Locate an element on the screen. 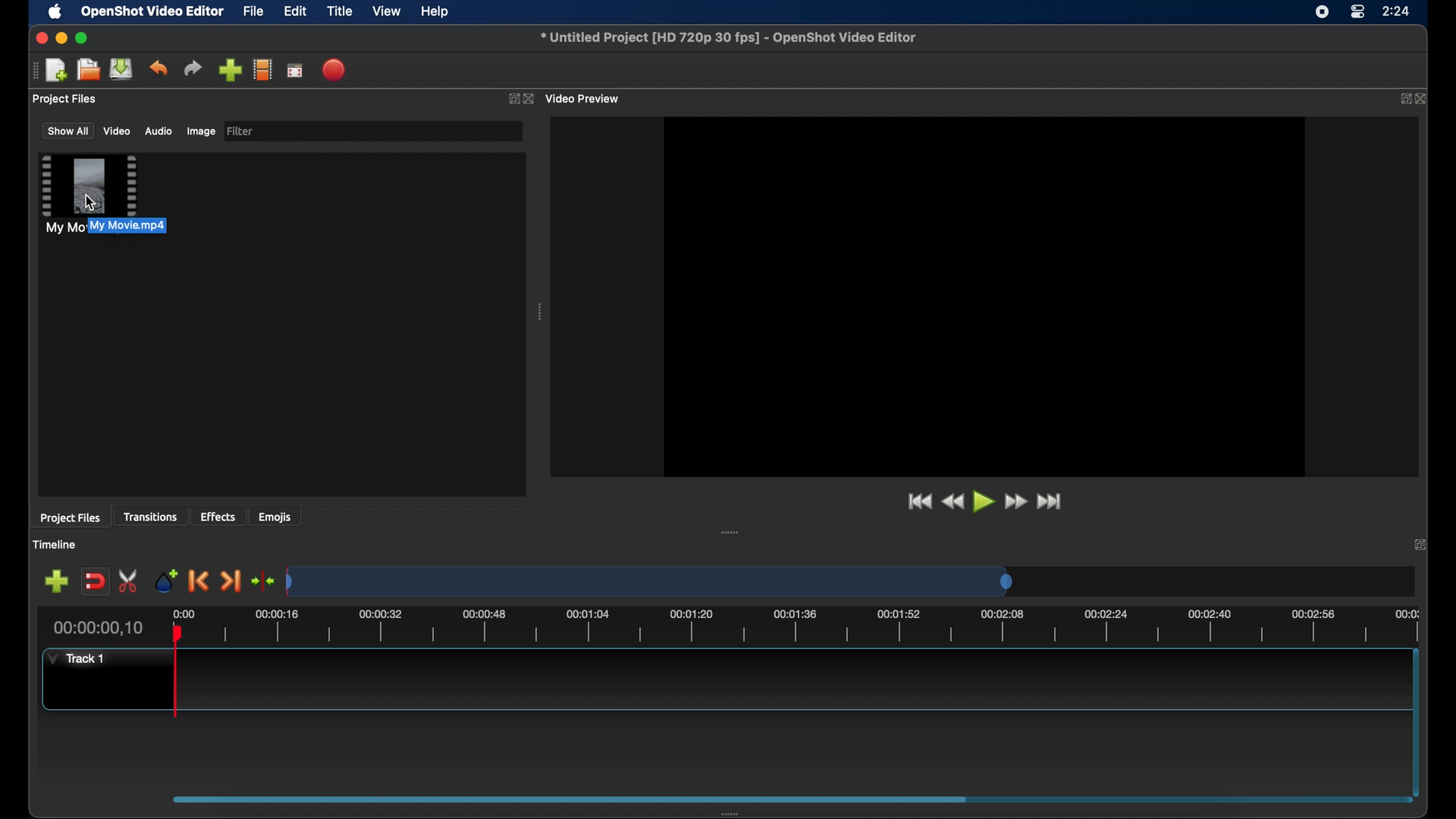 The width and height of the screenshot is (1456, 819). full screen is located at coordinates (295, 71).